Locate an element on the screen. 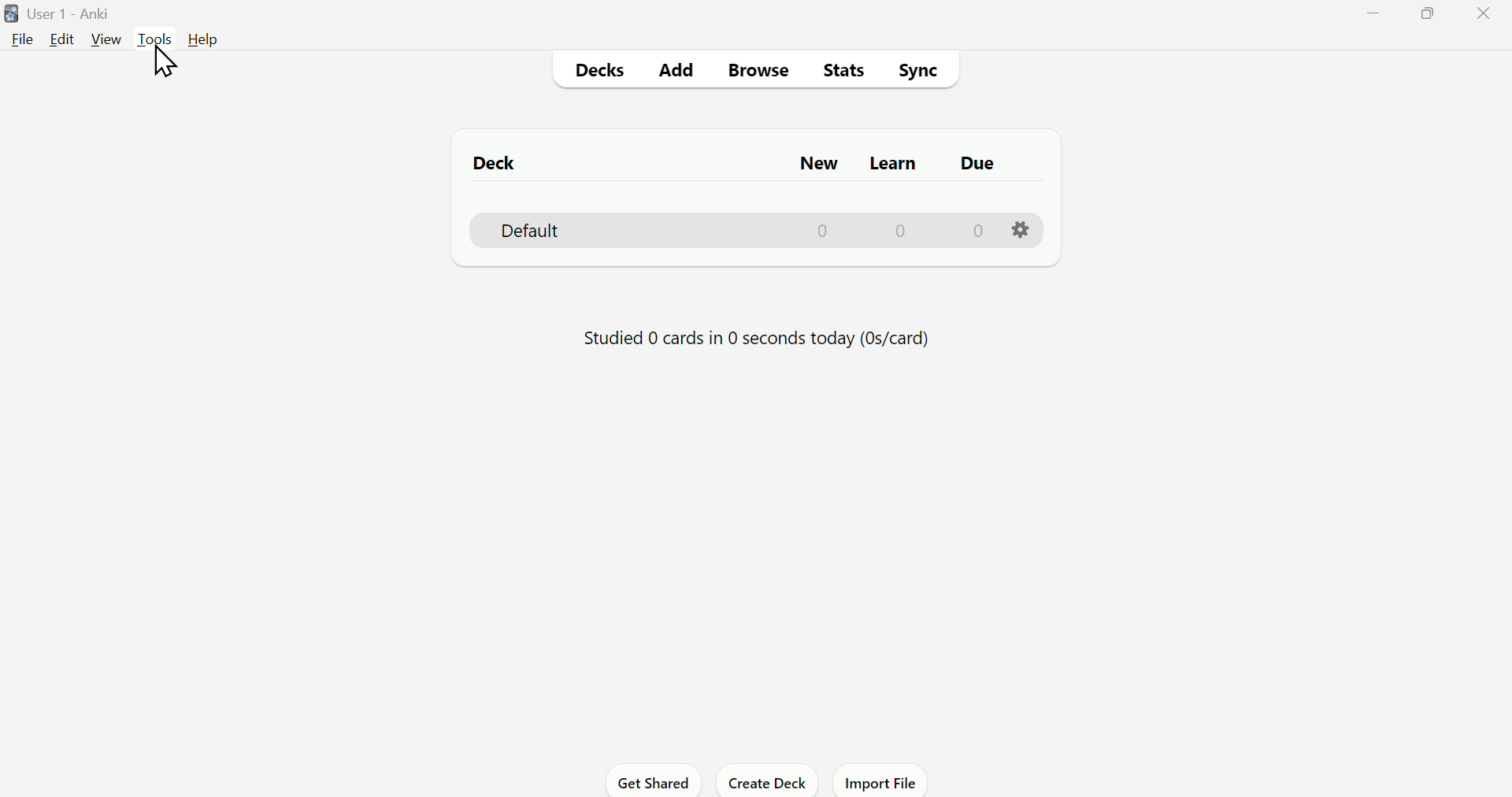 The height and width of the screenshot is (797, 1512). Browse is located at coordinates (758, 71).